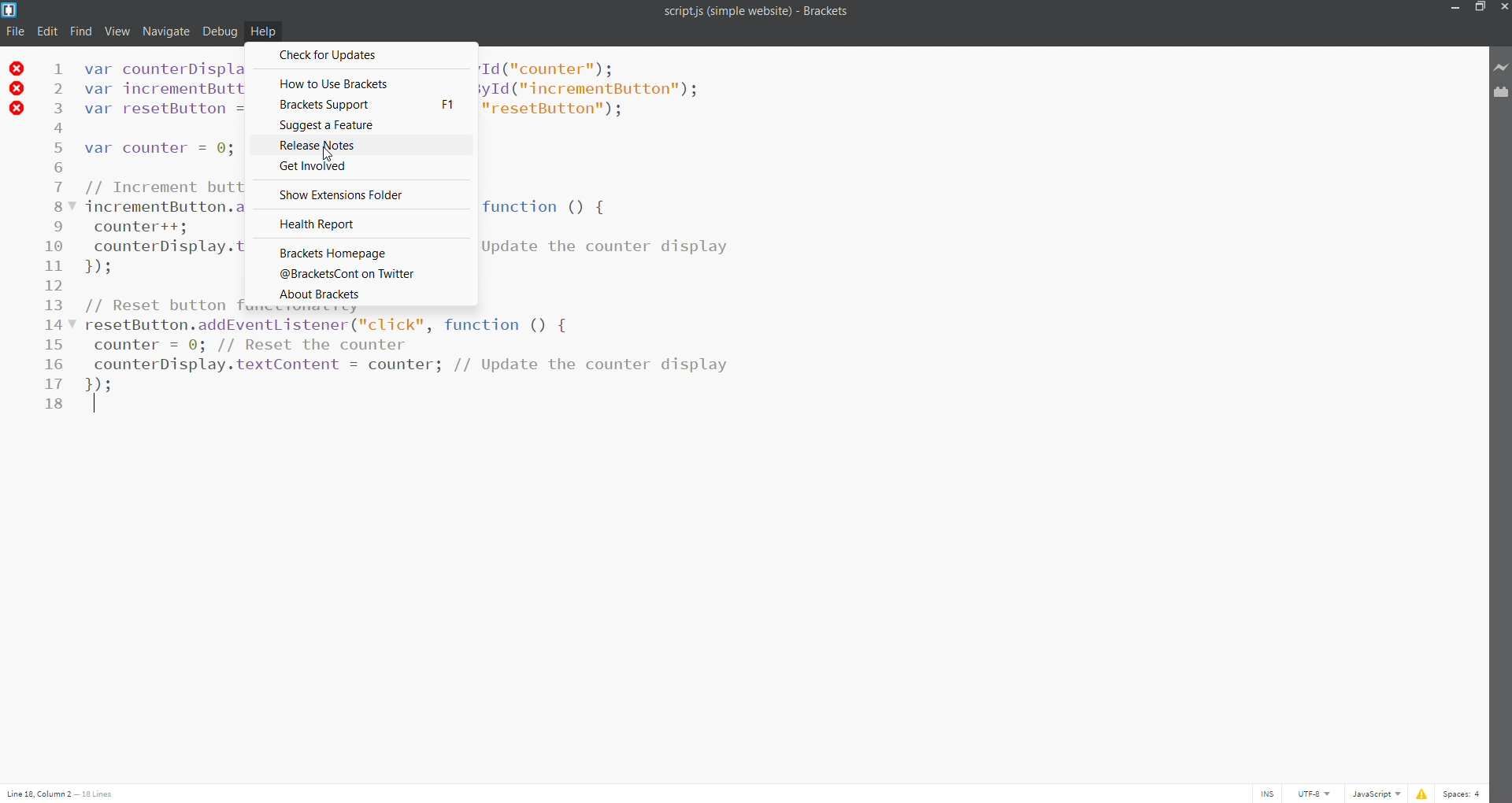  I want to click on how to use brackets, so click(362, 80).